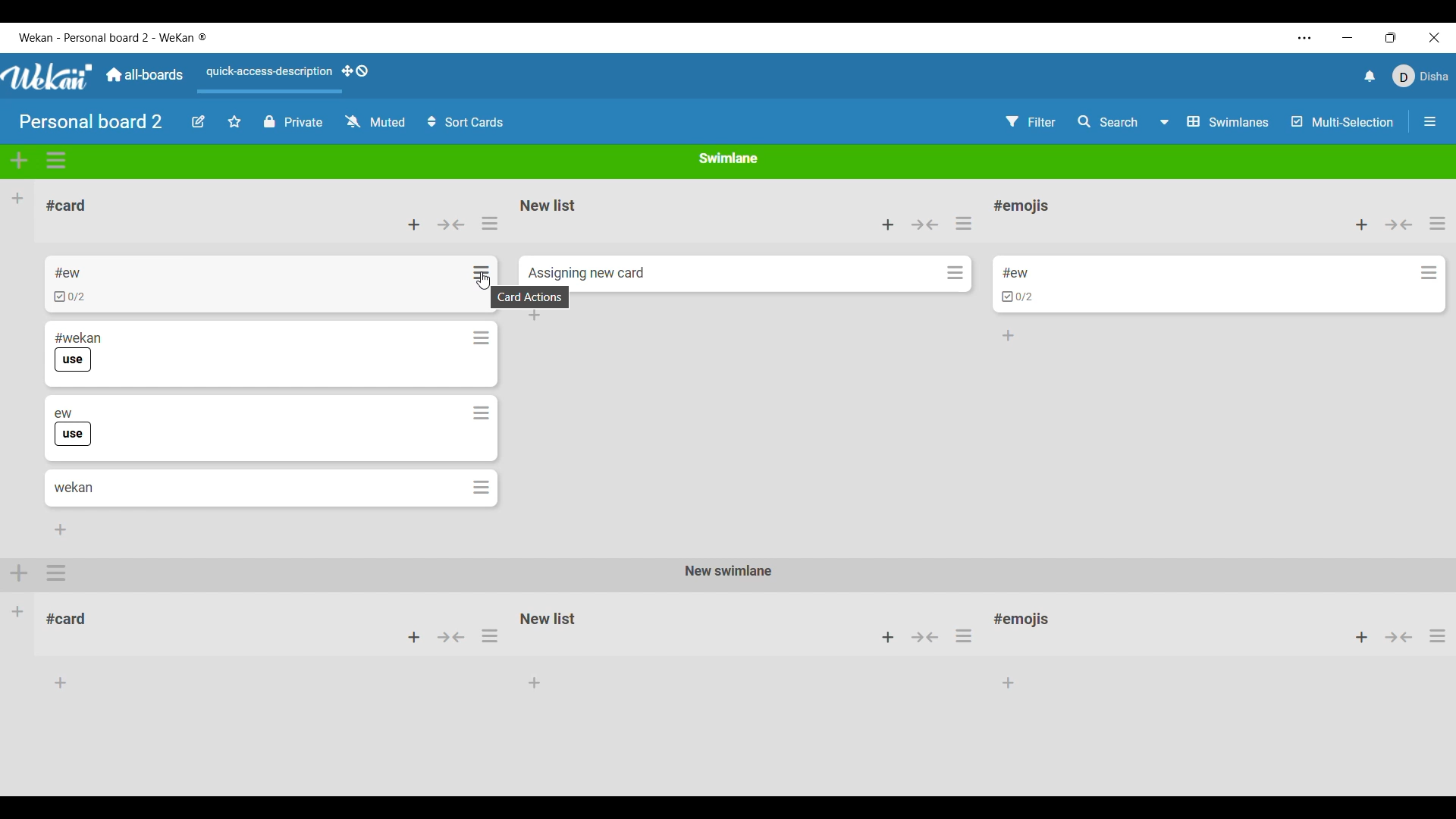 This screenshot has height=819, width=1456. Describe the element at coordinates (235, 121) in the screenshot. I see `Star board` at that location.